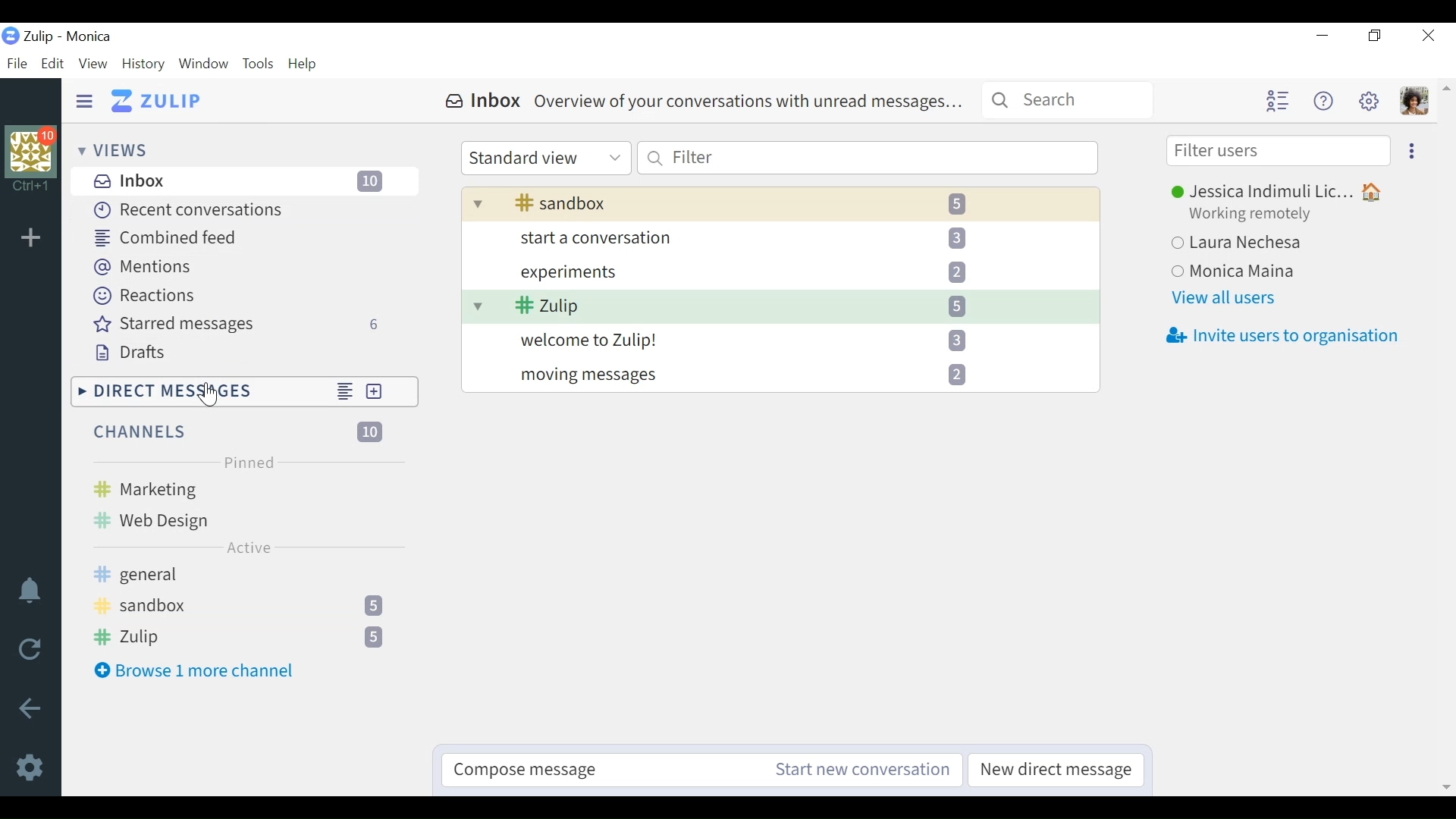 This screenshot has width=1456, height=819. I want to click on Help menu, so click(1322, 101).